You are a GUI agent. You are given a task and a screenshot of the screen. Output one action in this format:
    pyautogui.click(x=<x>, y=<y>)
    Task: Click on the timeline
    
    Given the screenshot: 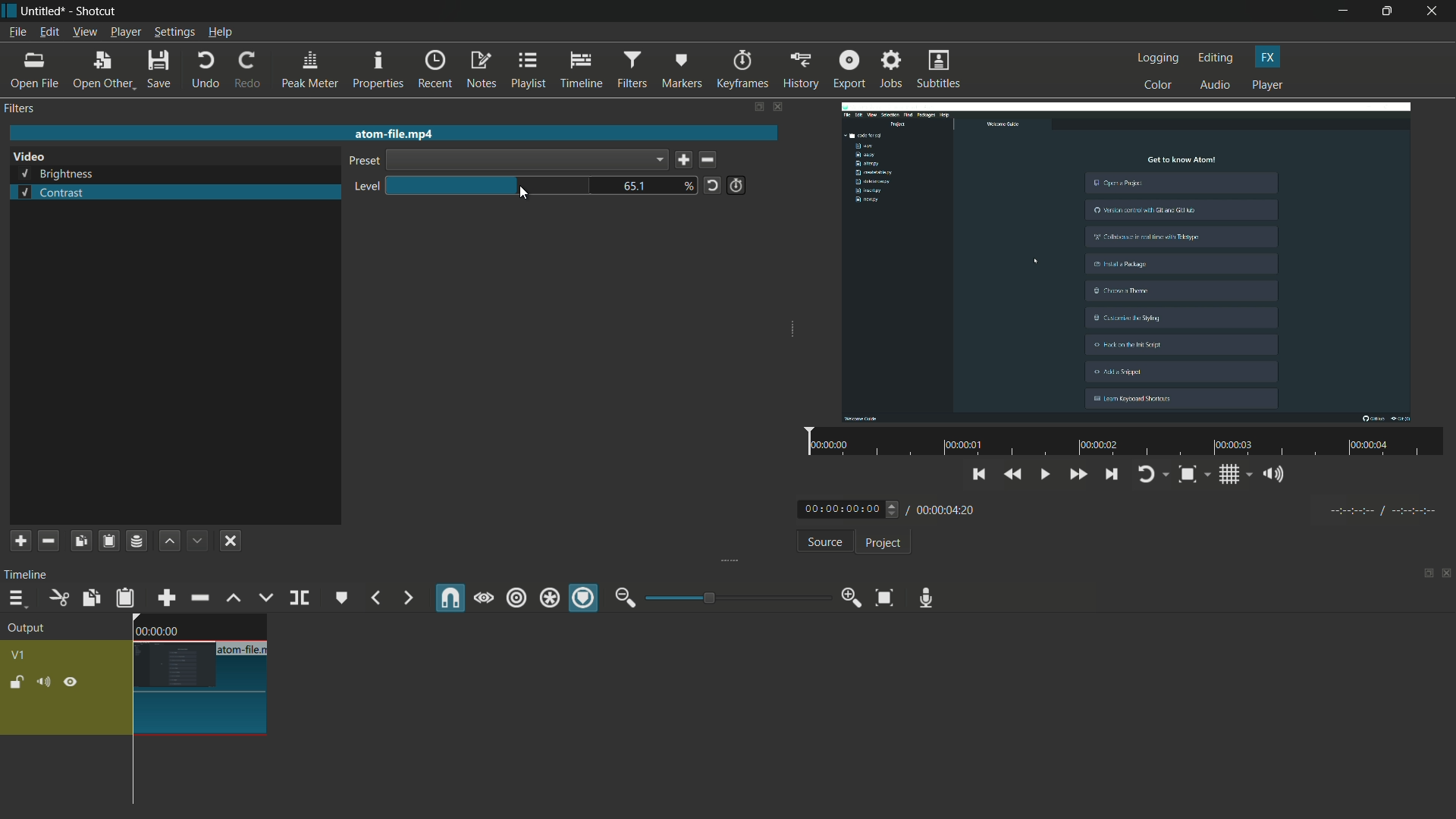 What is the action you would take?
    pyautogui.click(x=582, y=71)
    